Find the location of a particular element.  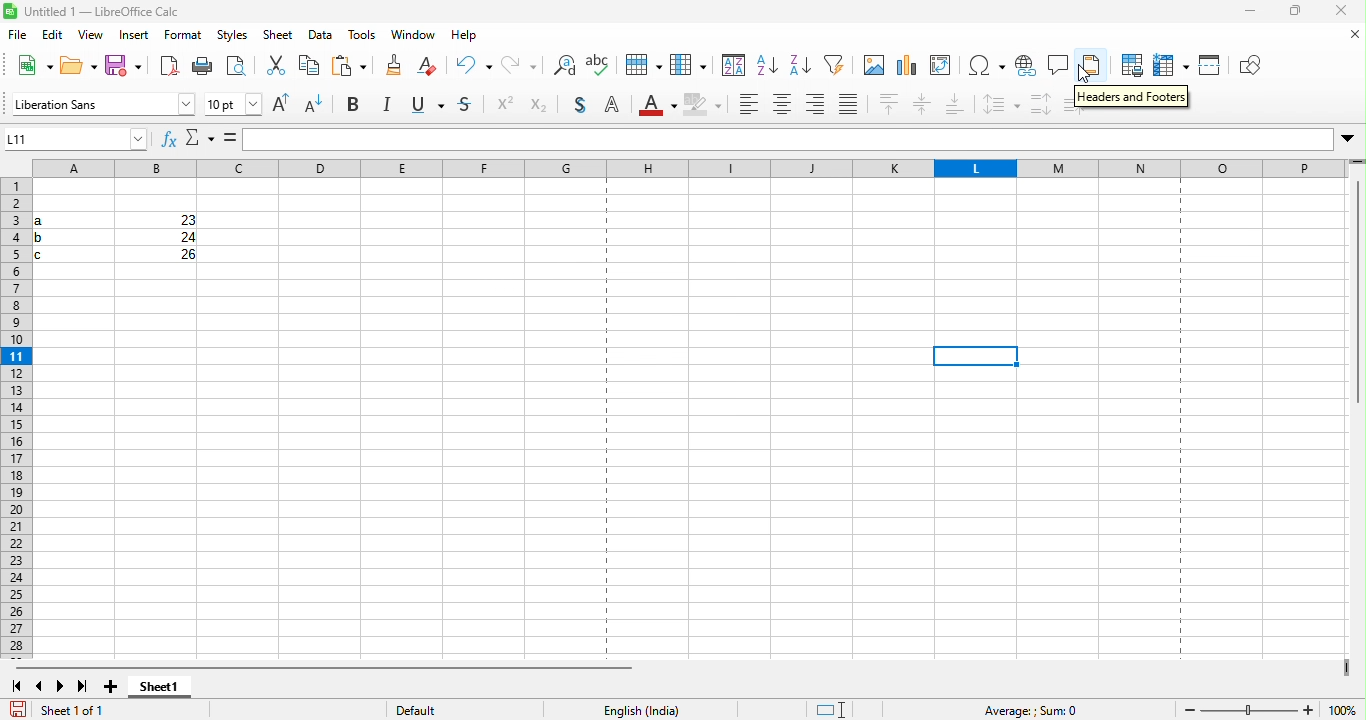

insert is located at coordinates (132, 39).